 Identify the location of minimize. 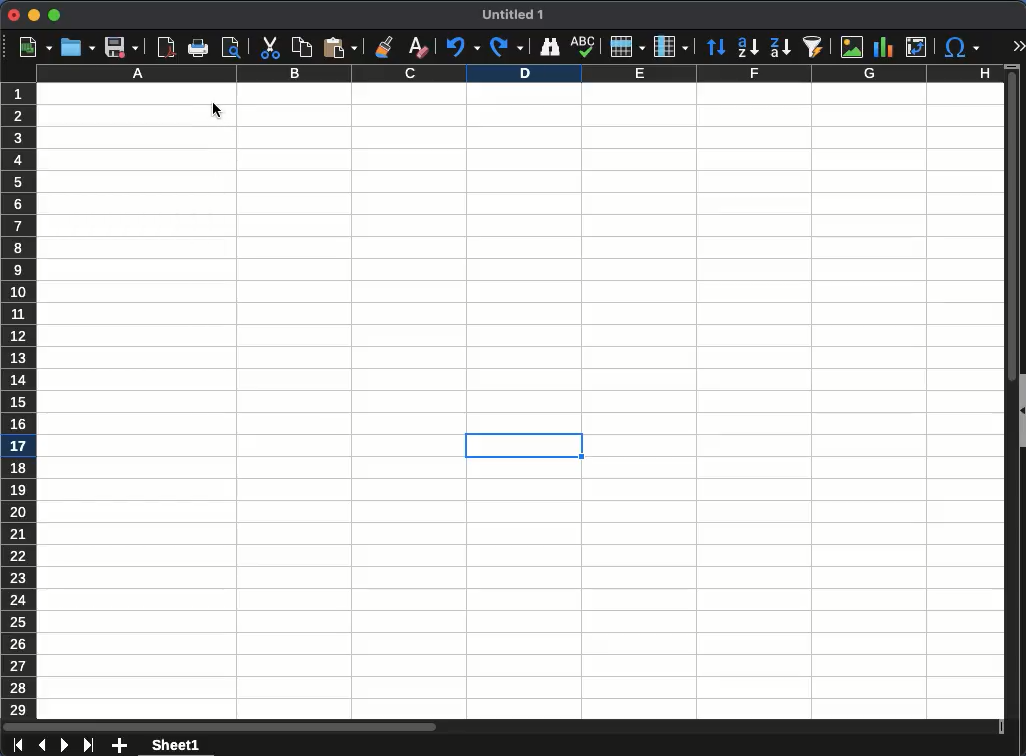
(34, 15).